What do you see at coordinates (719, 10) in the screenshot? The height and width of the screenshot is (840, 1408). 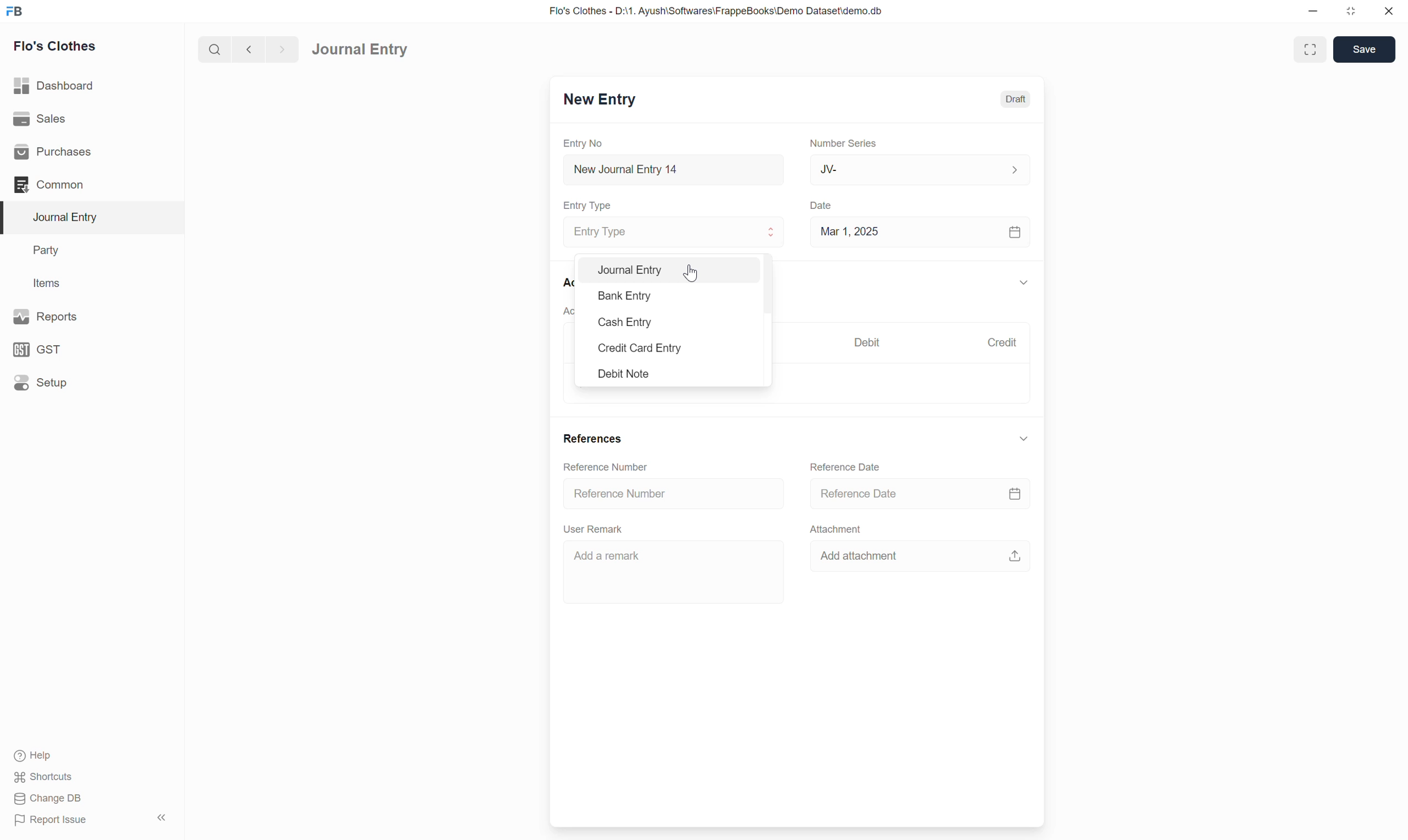 I see `Flo's Clothes - D:\1. Ayush\Softwares\FrappeBooks\Demo Dataset\demo.db` at bounding box center [719, 10].